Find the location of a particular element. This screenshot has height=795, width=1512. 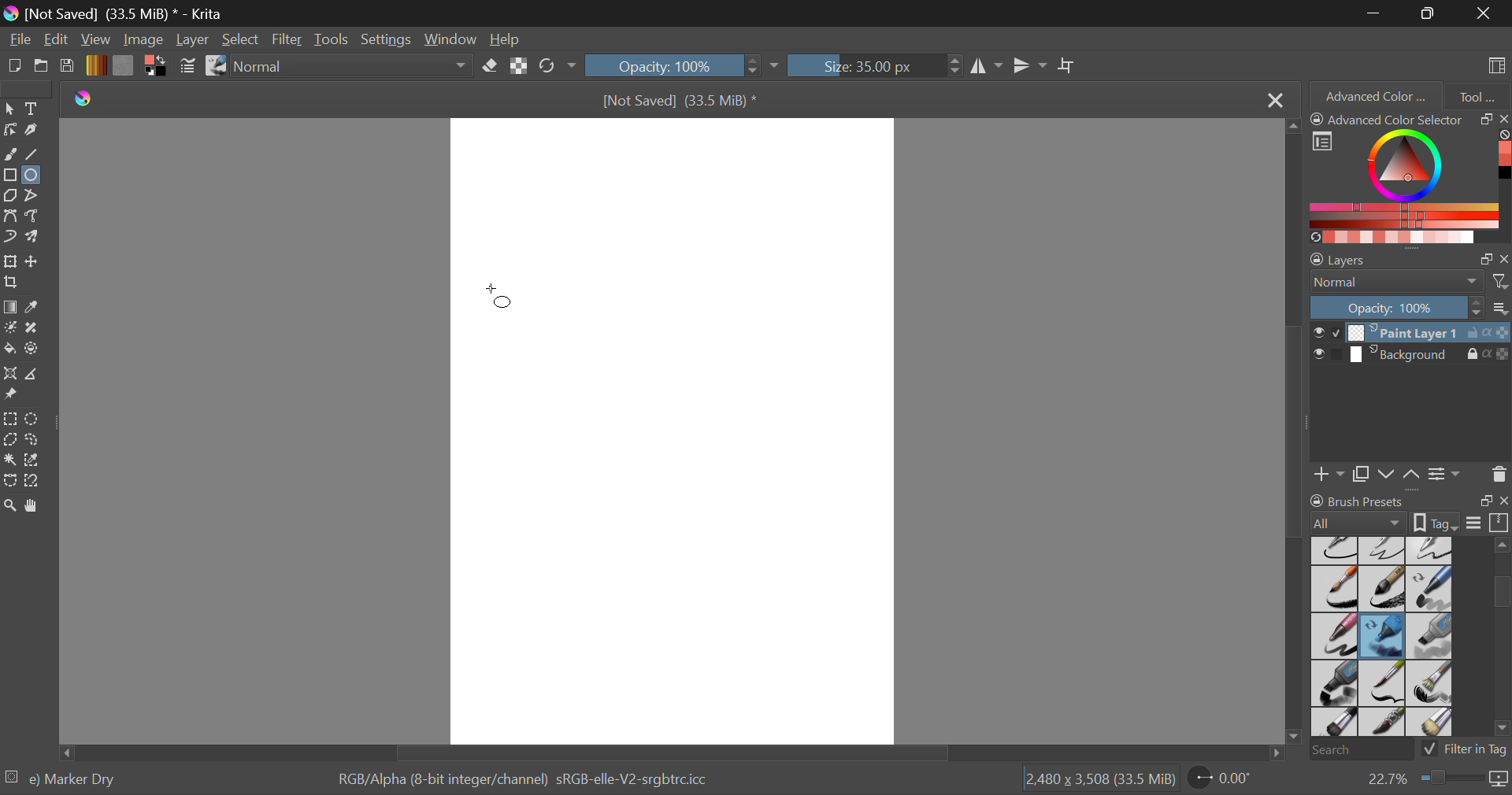

Erase is located at coordinates (493, 68).